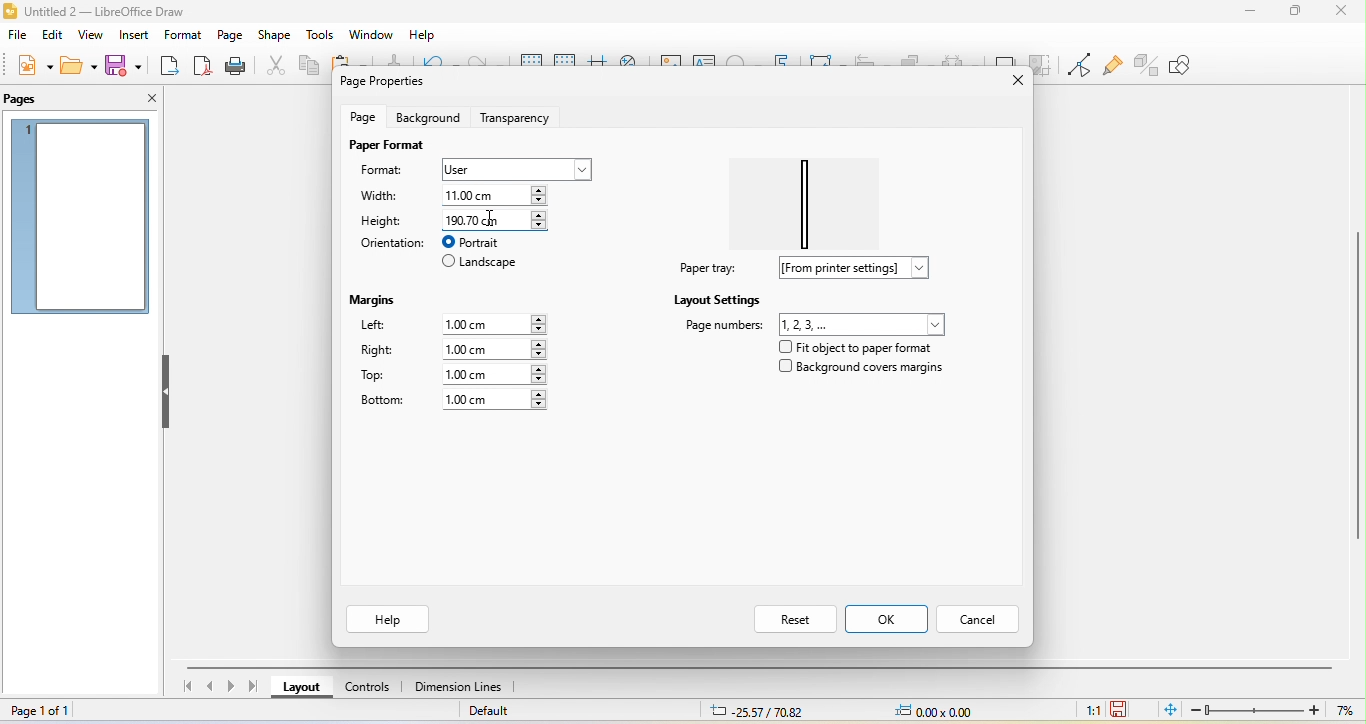 Image resolution: width=1366 pixels, height=724 pixels. I want to click on zoom, so click(1276, 710).